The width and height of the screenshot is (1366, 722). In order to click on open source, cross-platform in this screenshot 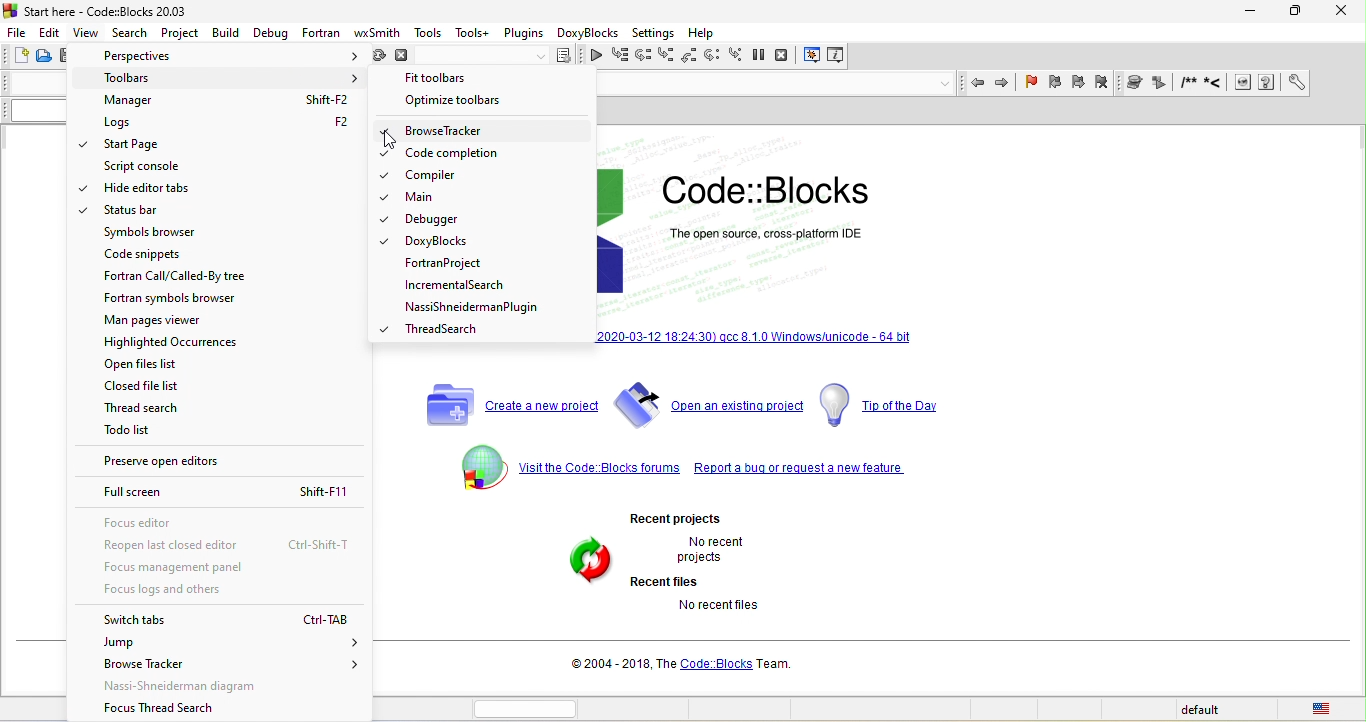, I will do `click(784, 241)`.